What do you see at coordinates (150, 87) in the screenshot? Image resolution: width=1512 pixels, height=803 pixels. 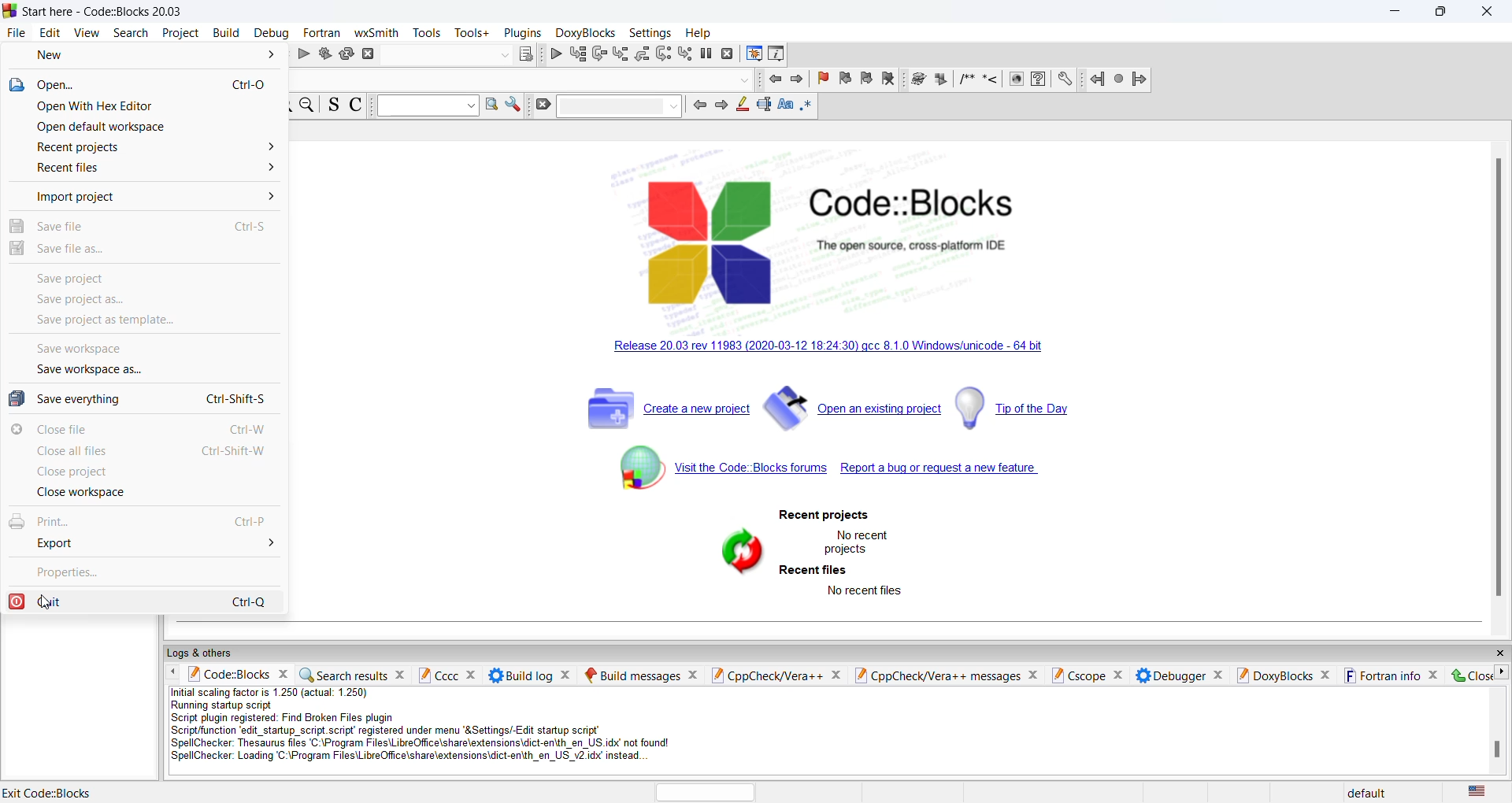 I see `open` at bounding box center [150, 87].